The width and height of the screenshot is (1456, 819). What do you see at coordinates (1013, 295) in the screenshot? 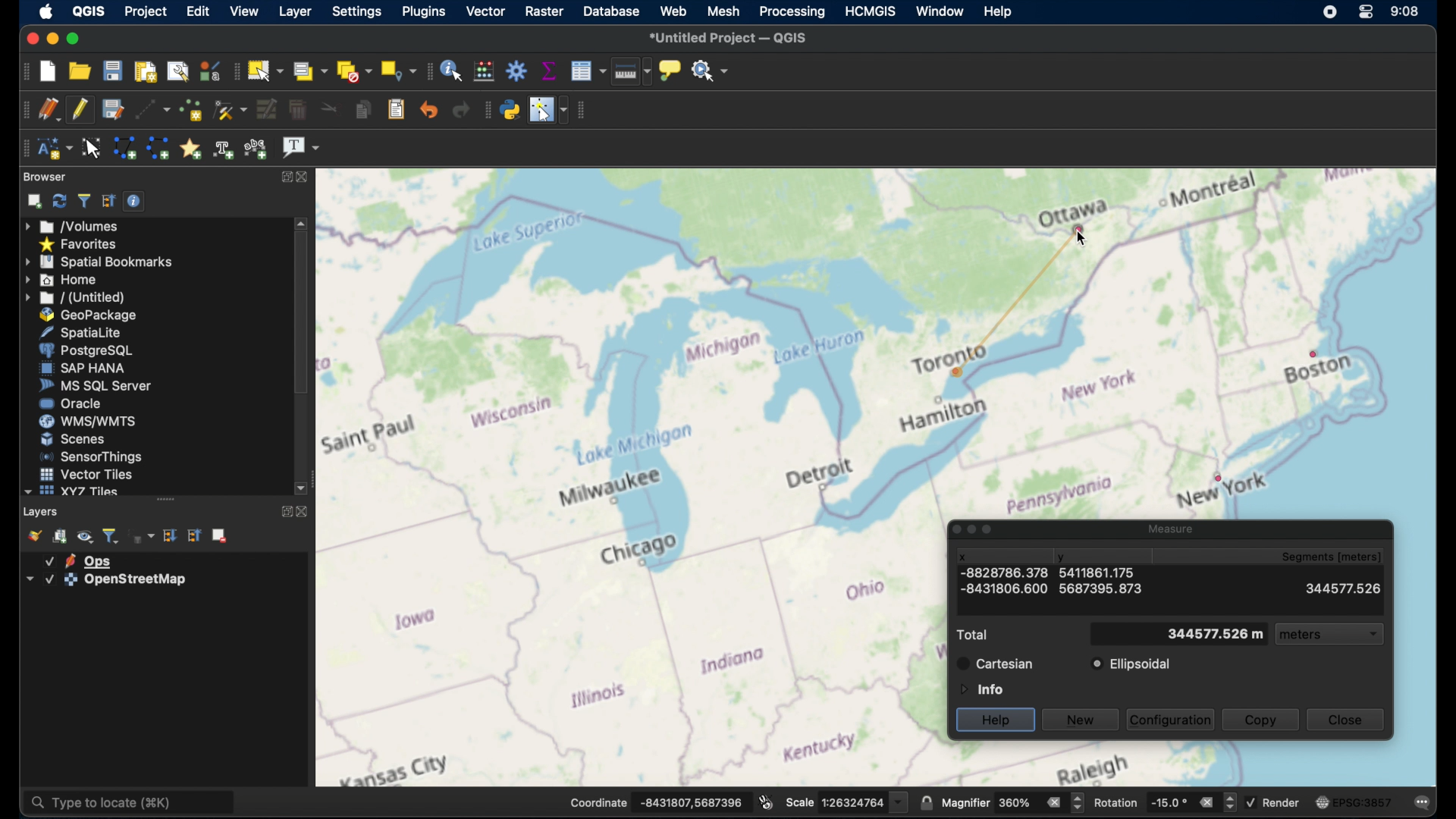
I see `distance` at bounding box center [1013, 295].